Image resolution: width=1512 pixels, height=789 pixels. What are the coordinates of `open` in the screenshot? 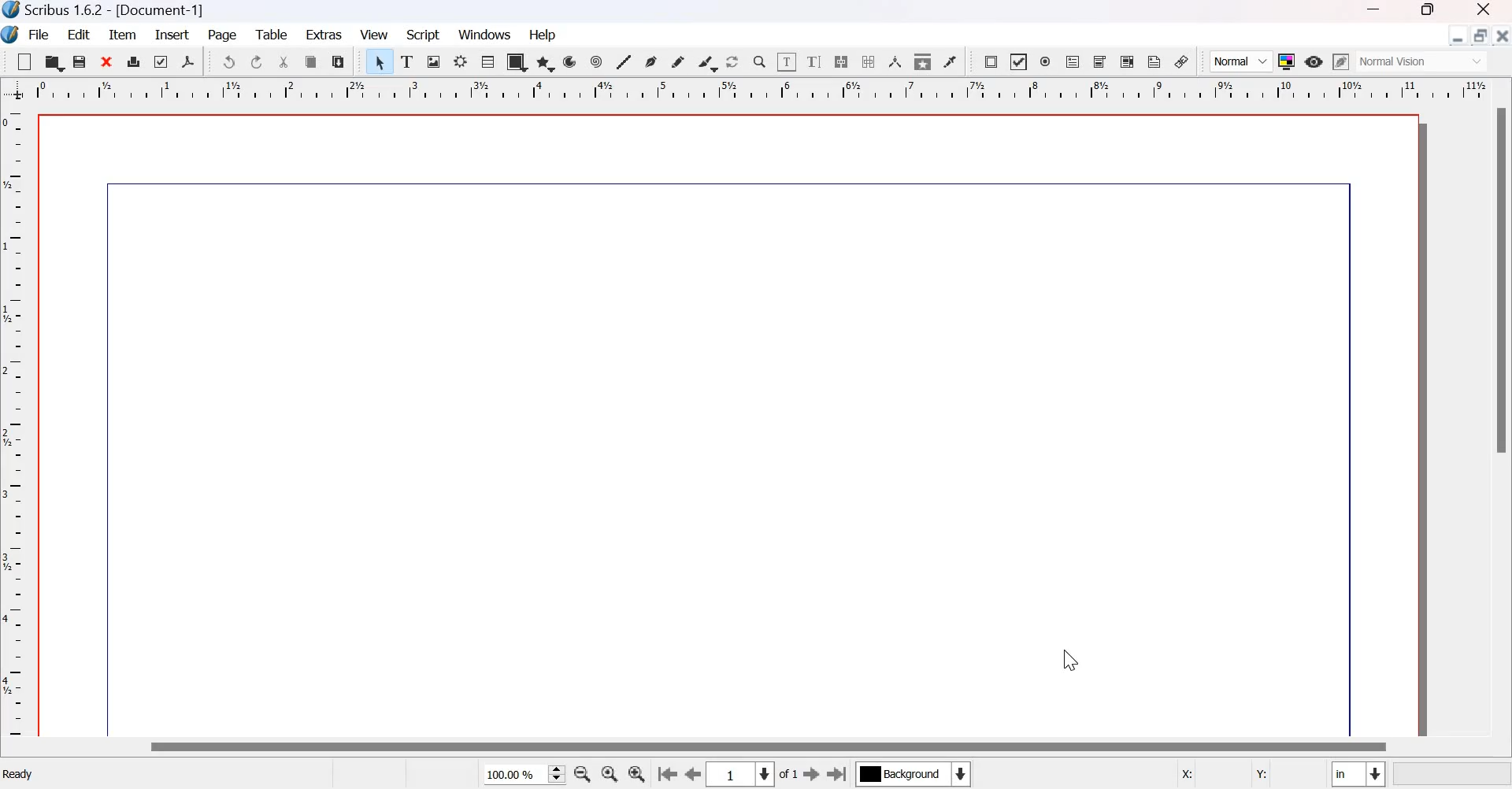 It's located at (54, 63).